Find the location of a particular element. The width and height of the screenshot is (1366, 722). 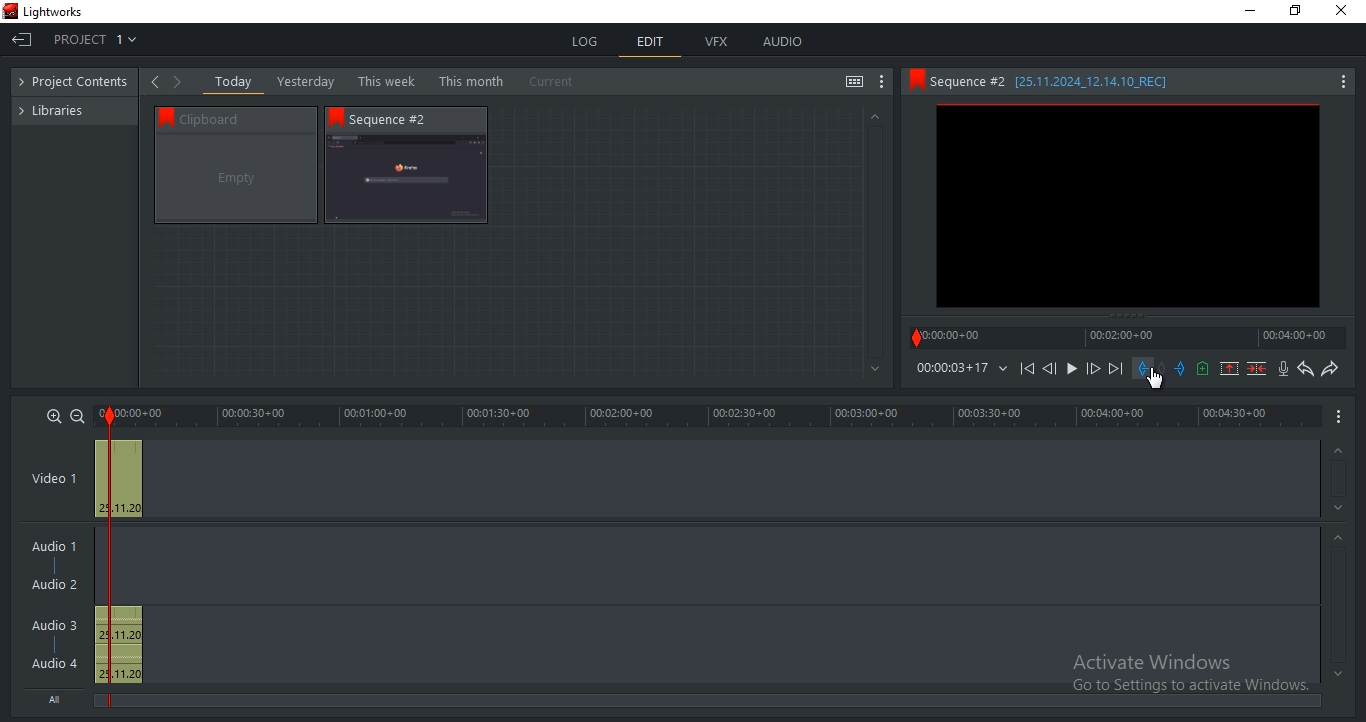

Audio 2 is located at coordinates (54, 585).